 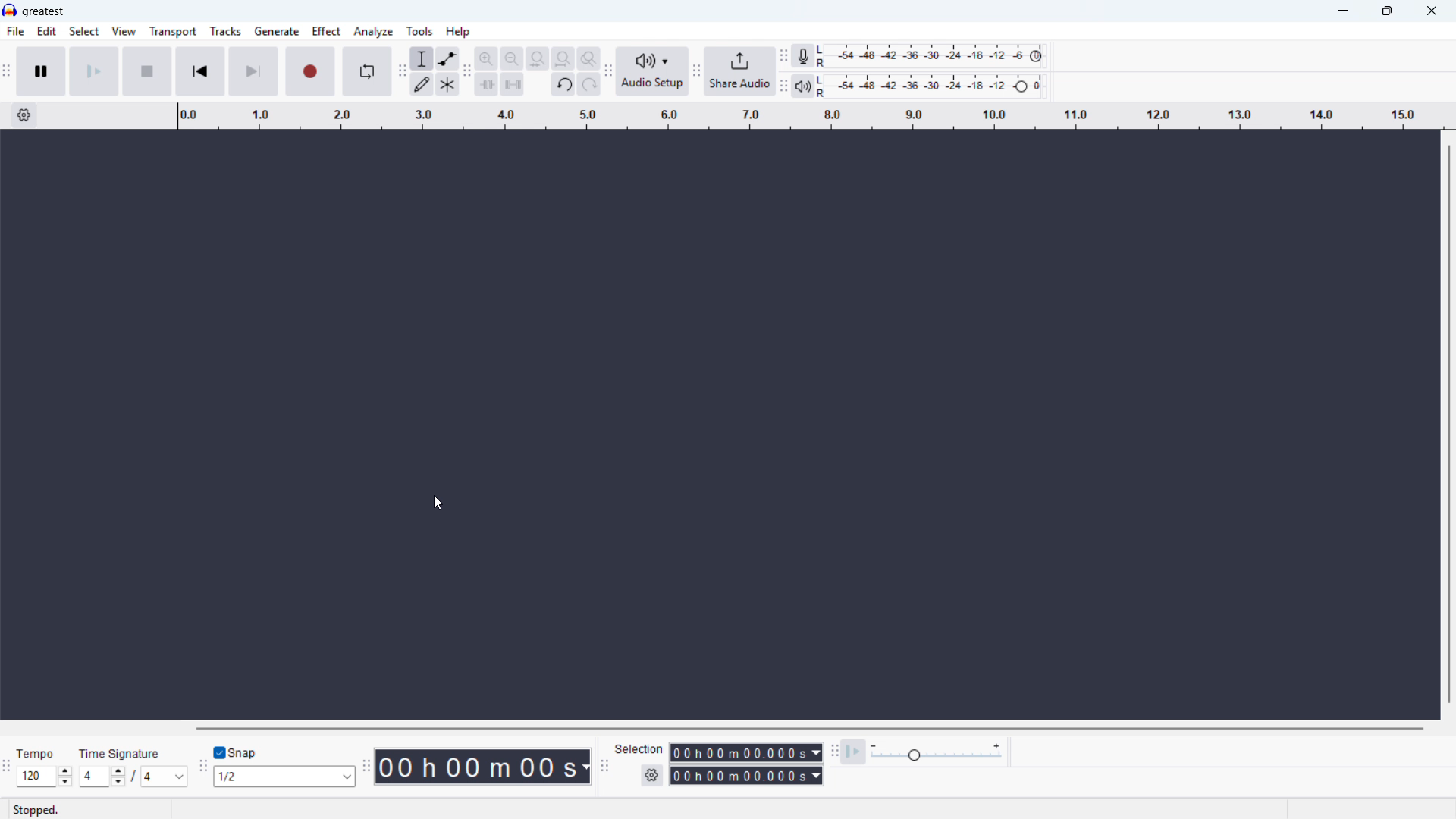 What do you see at coordinates (937, 752) in the screenshot?
I see `Playback speed ` at bounding box center [937, 752].